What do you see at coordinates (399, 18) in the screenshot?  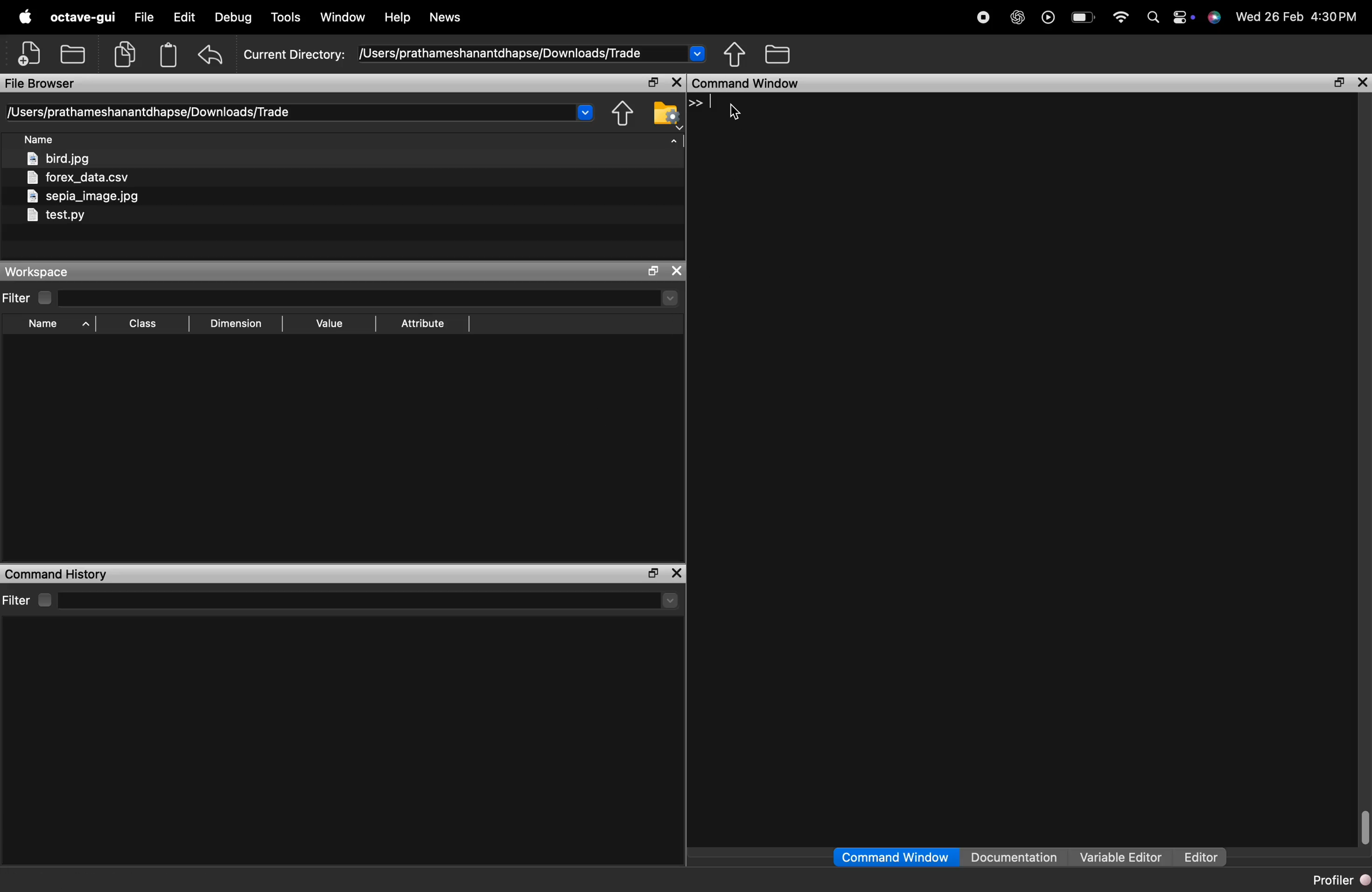 I see `help` at bounding box center [399, 18].